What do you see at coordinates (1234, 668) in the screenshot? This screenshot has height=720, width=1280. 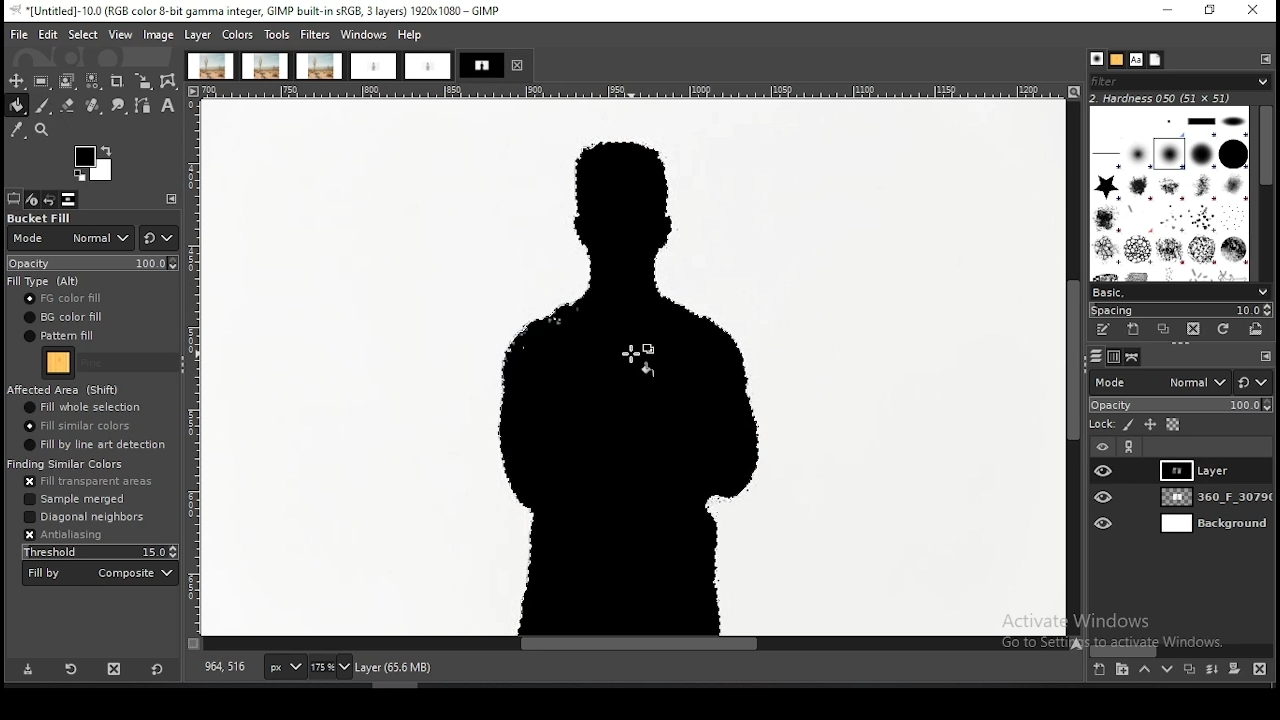 I see `add a mask` at bounding box center [1234, 668].